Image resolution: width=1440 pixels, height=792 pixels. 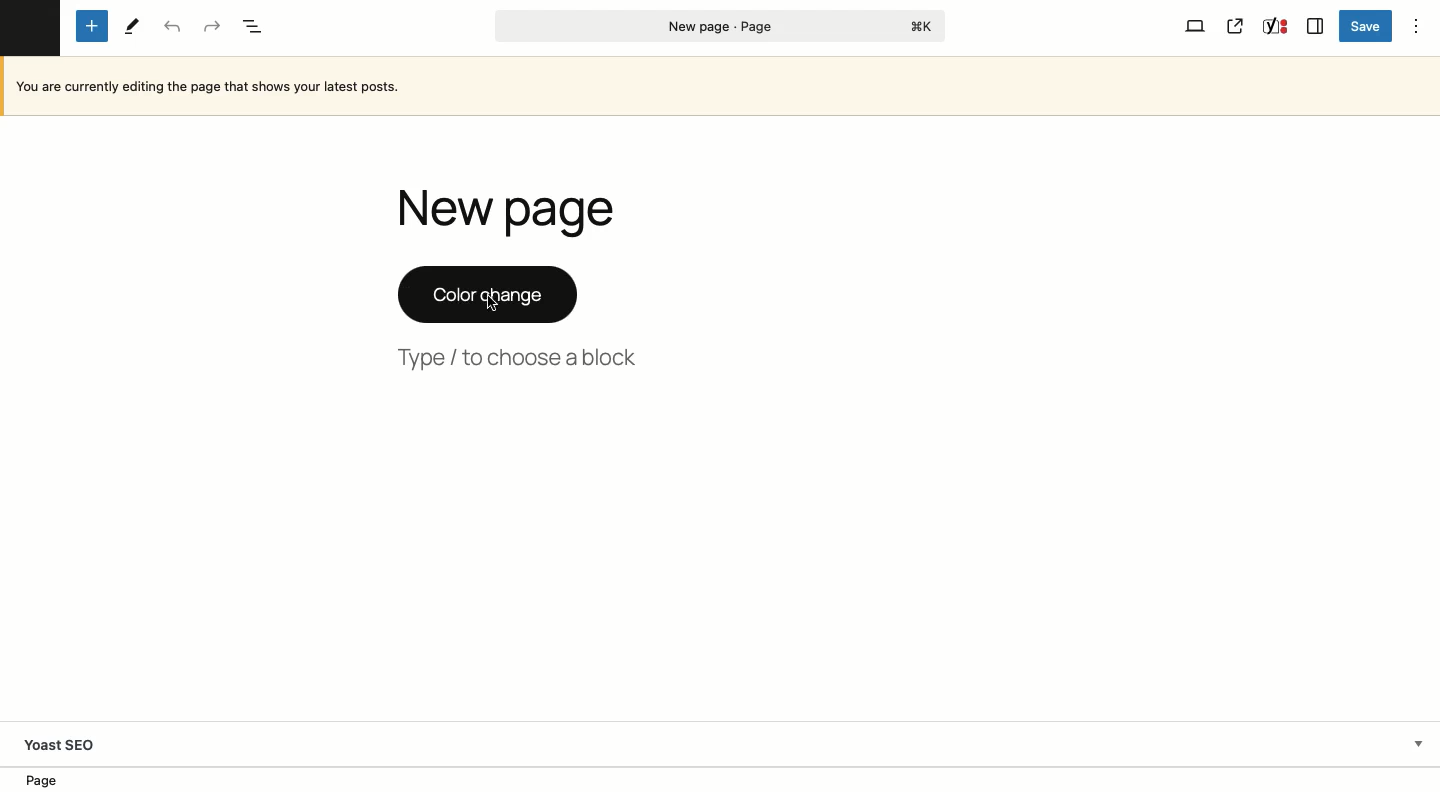 What do you see at coordinates (1415, 26) in the screenshot?
I see `Options` at bounding box center [1415, 26].